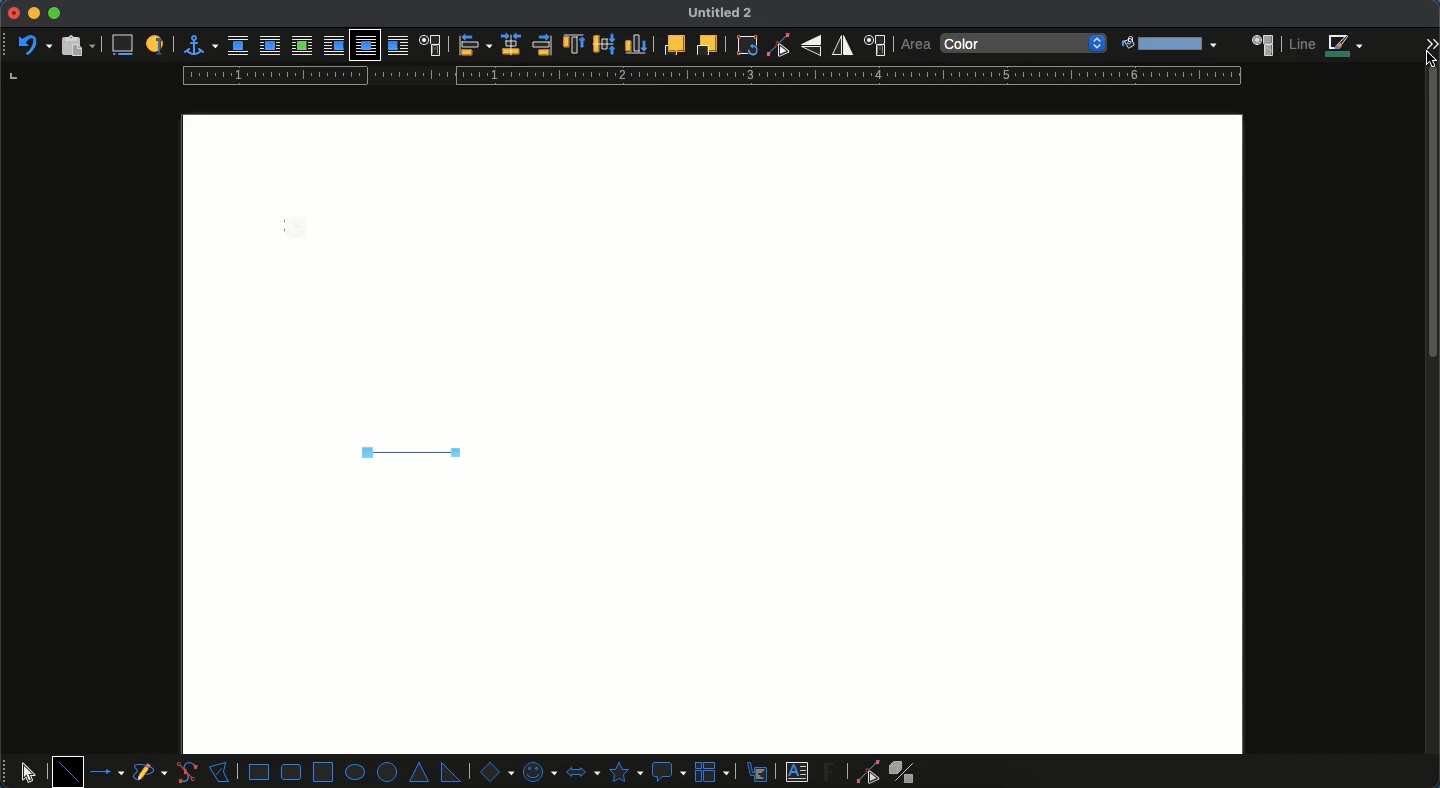 This screenshot has height=788, width=1440. Describe the element at coordinates (624, 772) in the screenshot. I see `stars and banners` at that location.